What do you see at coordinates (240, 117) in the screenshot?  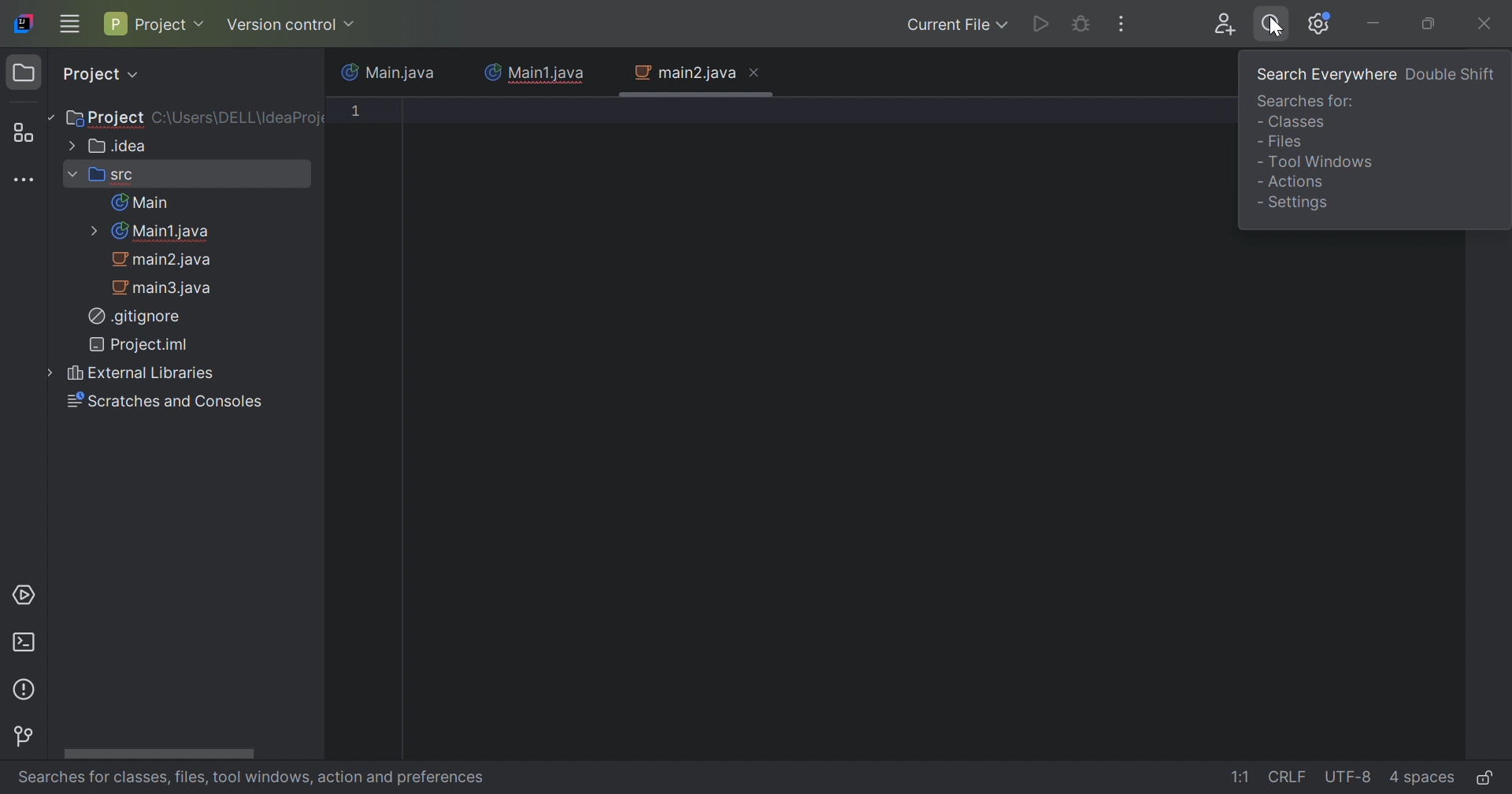 I see `C\:Users\DELL\IdeaProject` at bounding box center [240, 117].